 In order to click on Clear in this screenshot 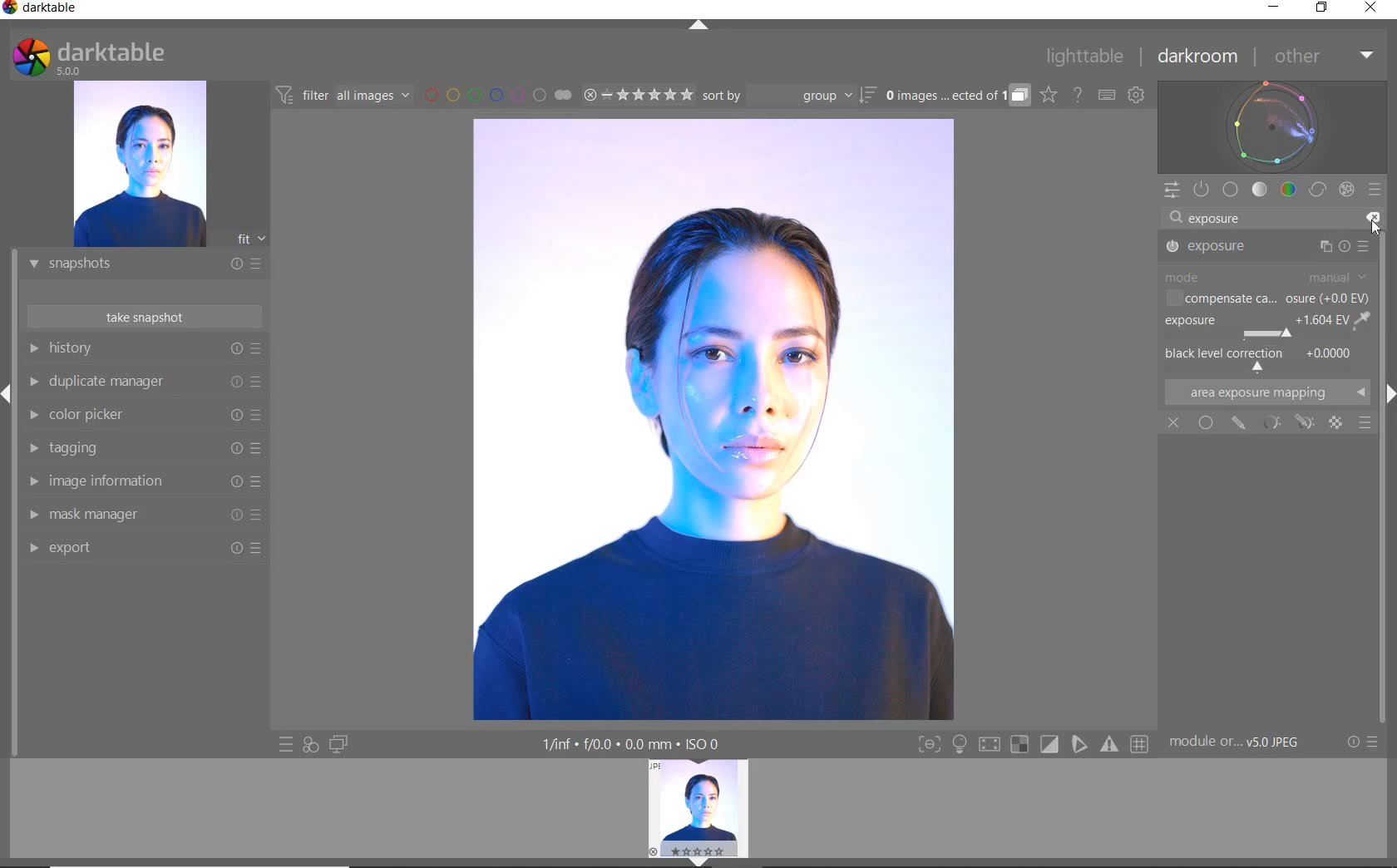, I will do `click(1370, 217)`.